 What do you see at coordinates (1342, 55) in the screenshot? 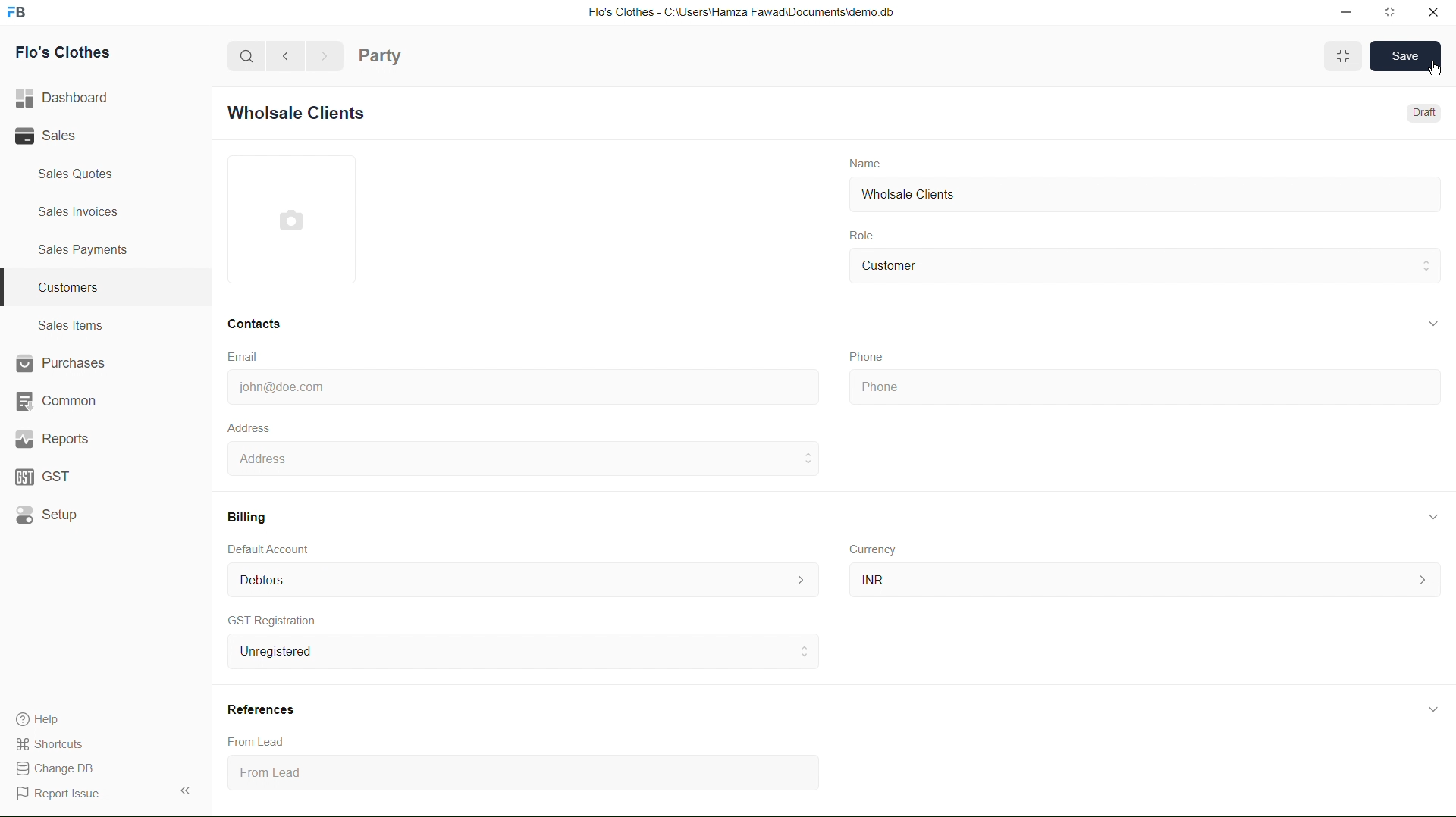
I see `Toggle between form and full width` at bounding box center [1342, 55].